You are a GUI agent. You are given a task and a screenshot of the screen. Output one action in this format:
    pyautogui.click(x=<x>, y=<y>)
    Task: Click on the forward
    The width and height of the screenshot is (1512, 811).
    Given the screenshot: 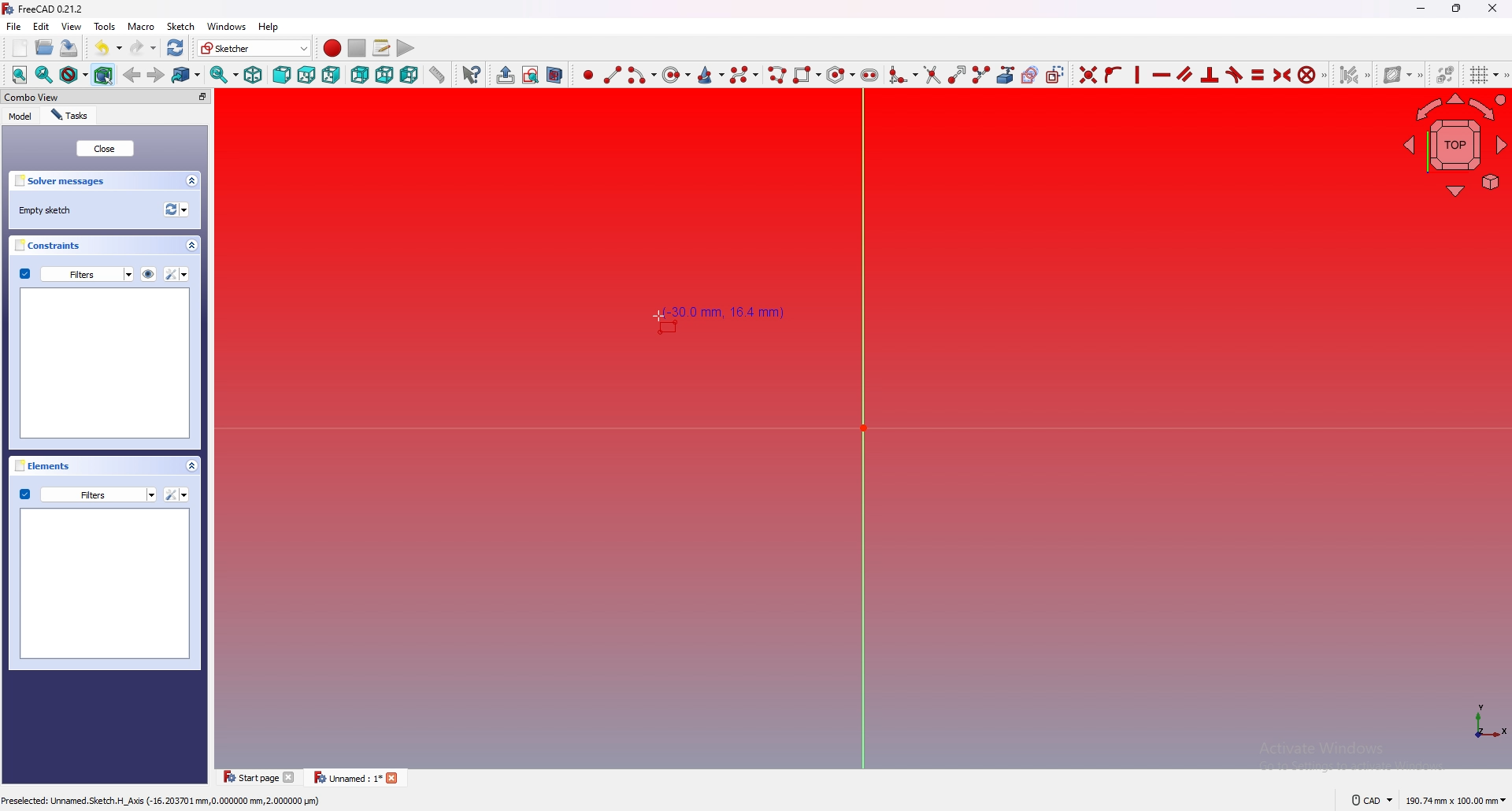 What is the action you would take?
    pyautogui.click(x=156, y=76)
    